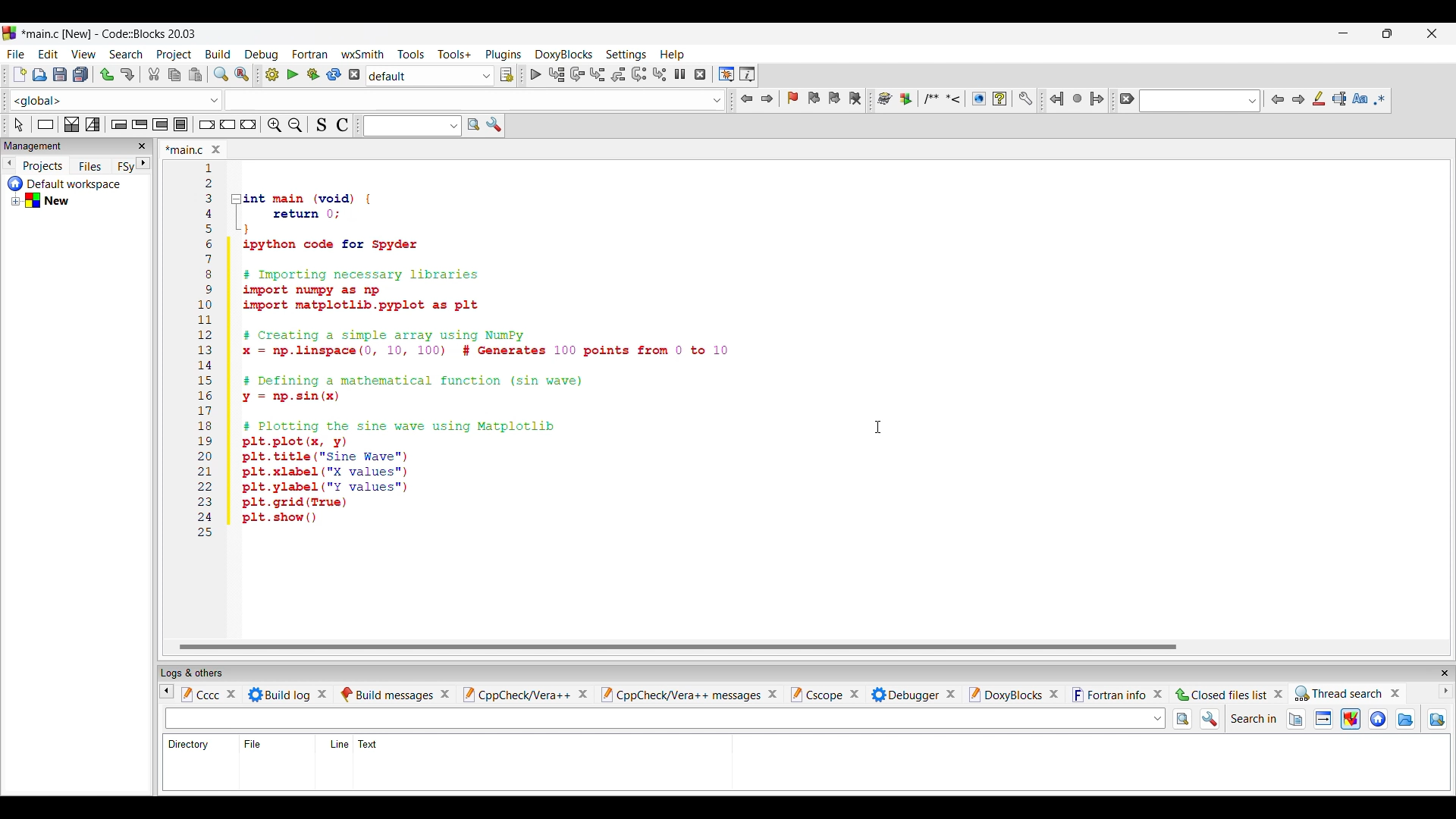  I want to click on cursor, so click(91, 65).